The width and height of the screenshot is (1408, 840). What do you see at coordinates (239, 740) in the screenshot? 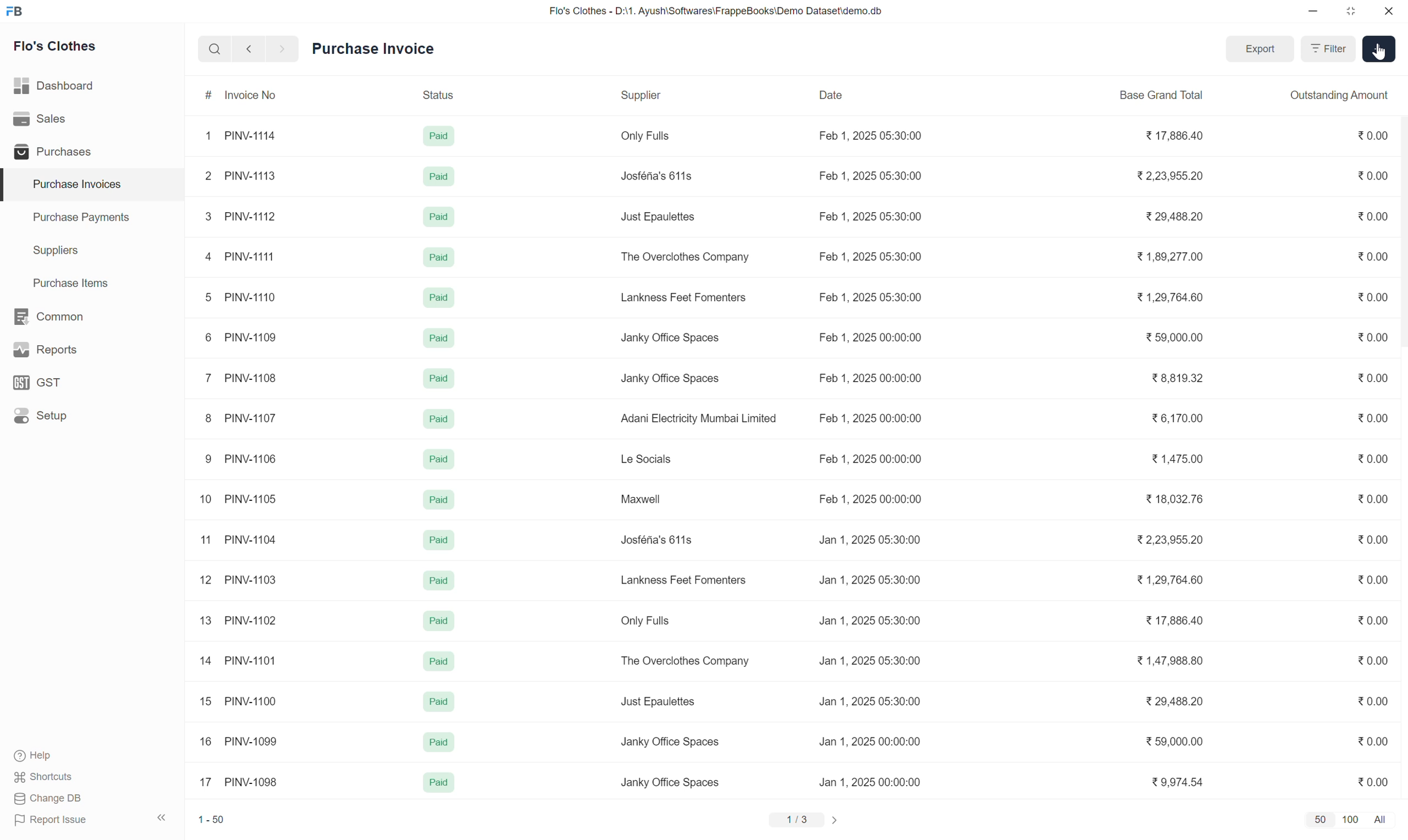
I see `16 PINV-1099` at bounding box center [239, 740].